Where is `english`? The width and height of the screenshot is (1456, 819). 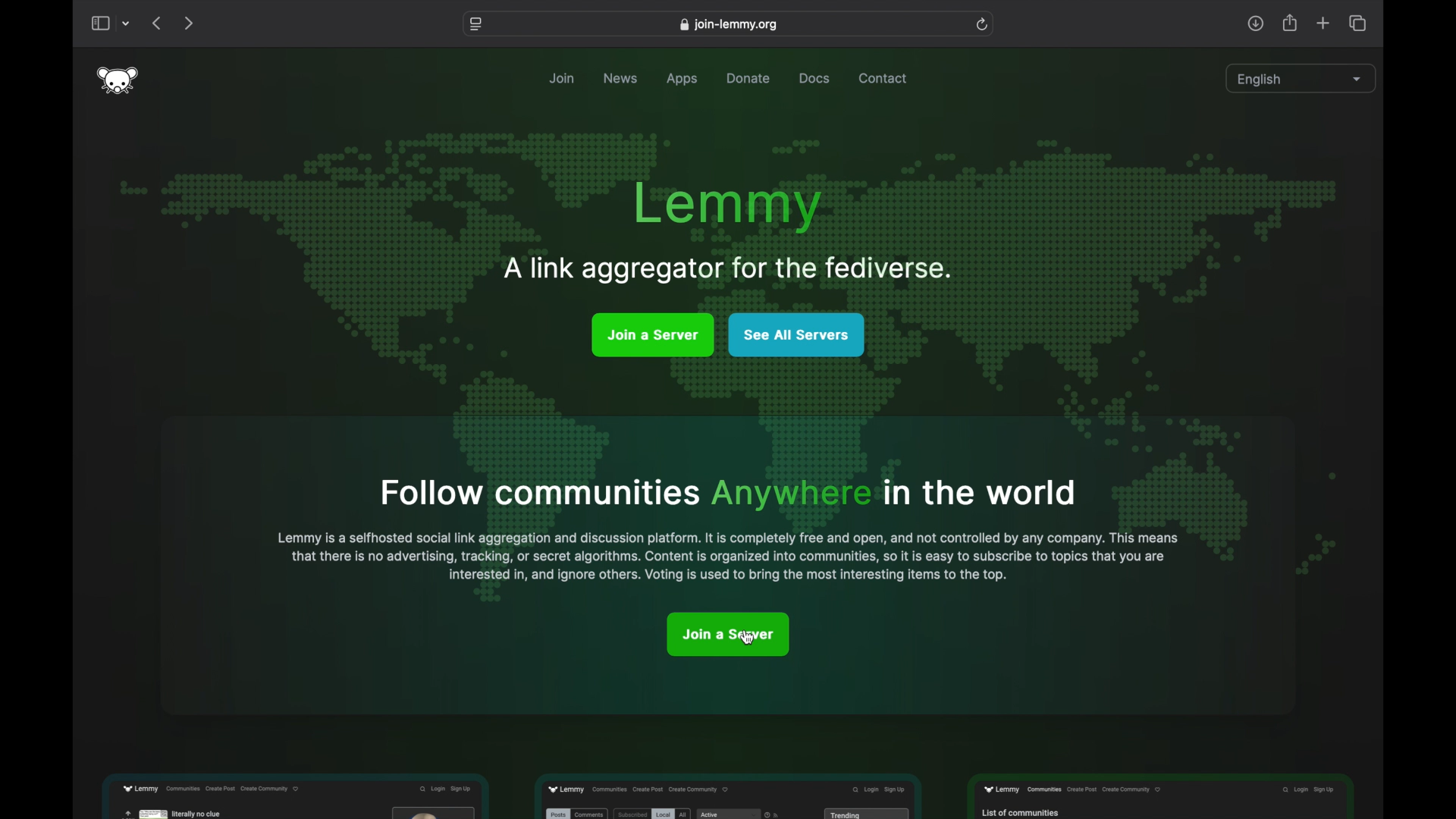 english is located at coordinates (1300, 79).